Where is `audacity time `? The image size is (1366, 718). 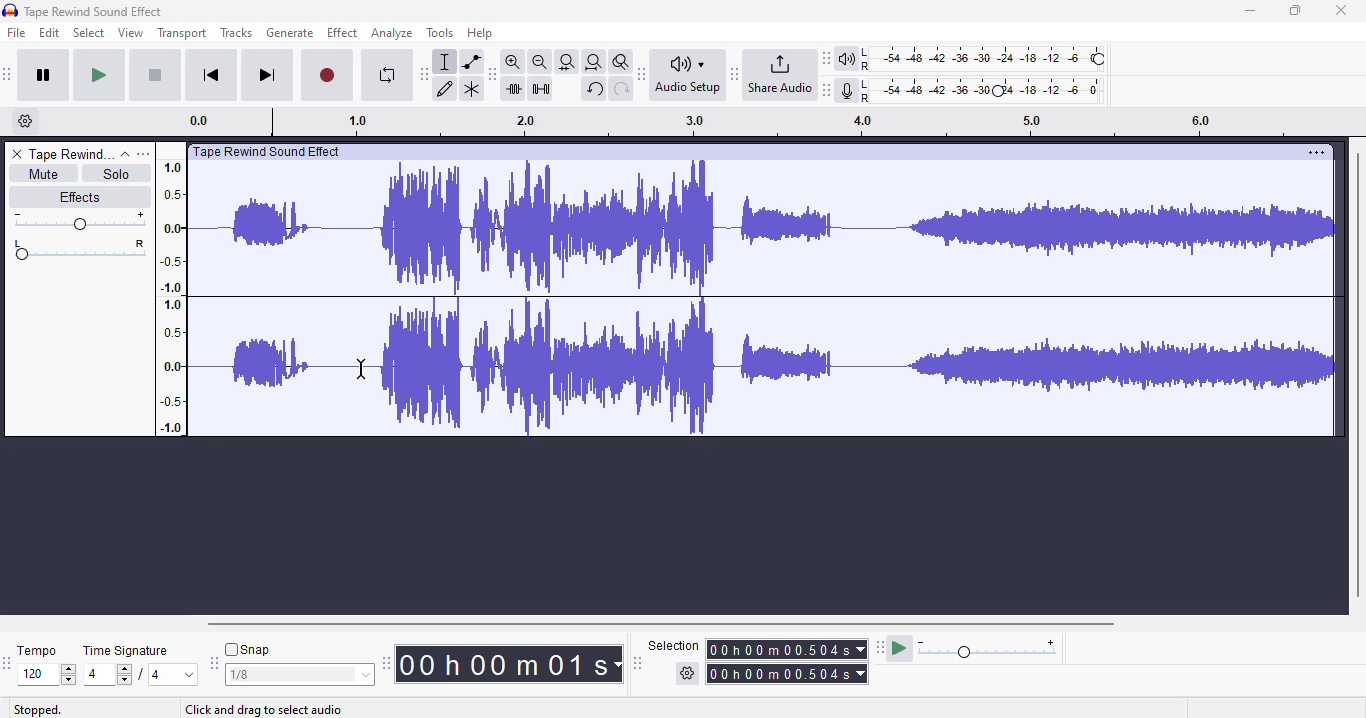 audacity time  is located at coordinates (508, 665).